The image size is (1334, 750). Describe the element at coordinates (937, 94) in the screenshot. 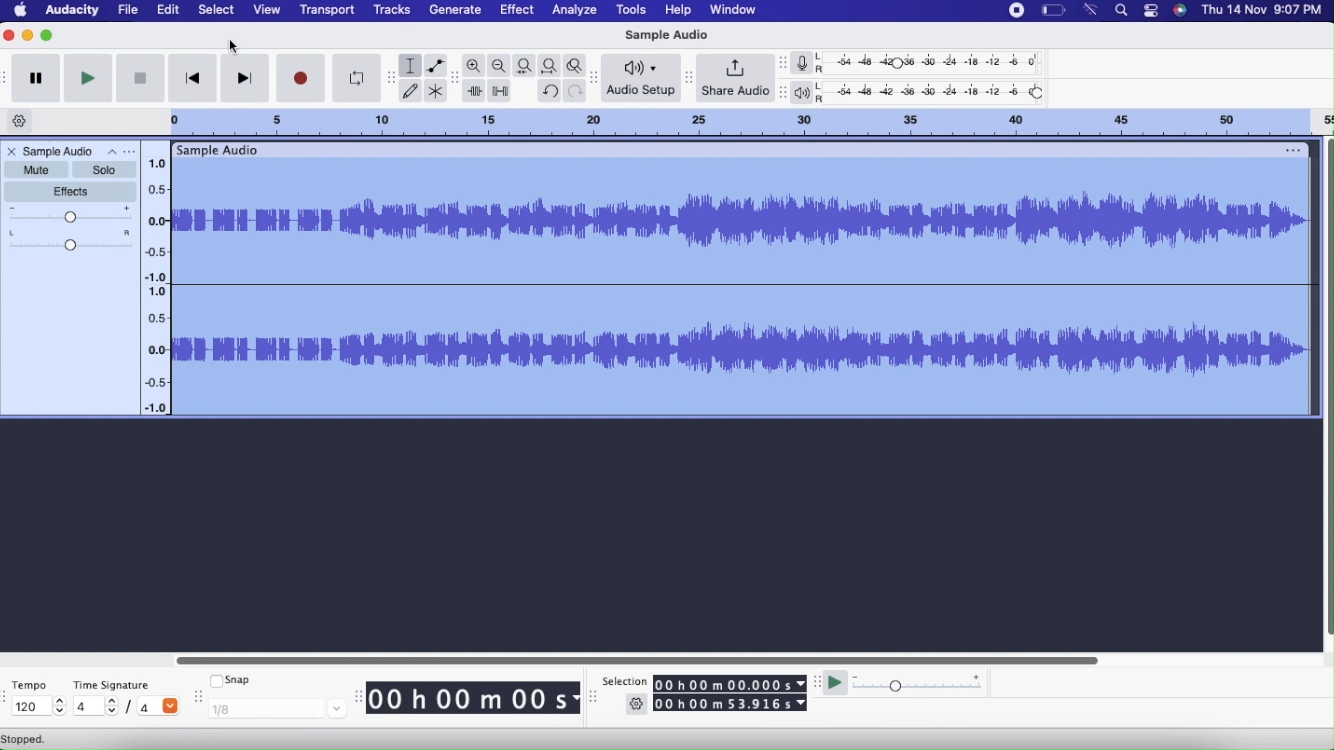

I see `Playback level` at that location.